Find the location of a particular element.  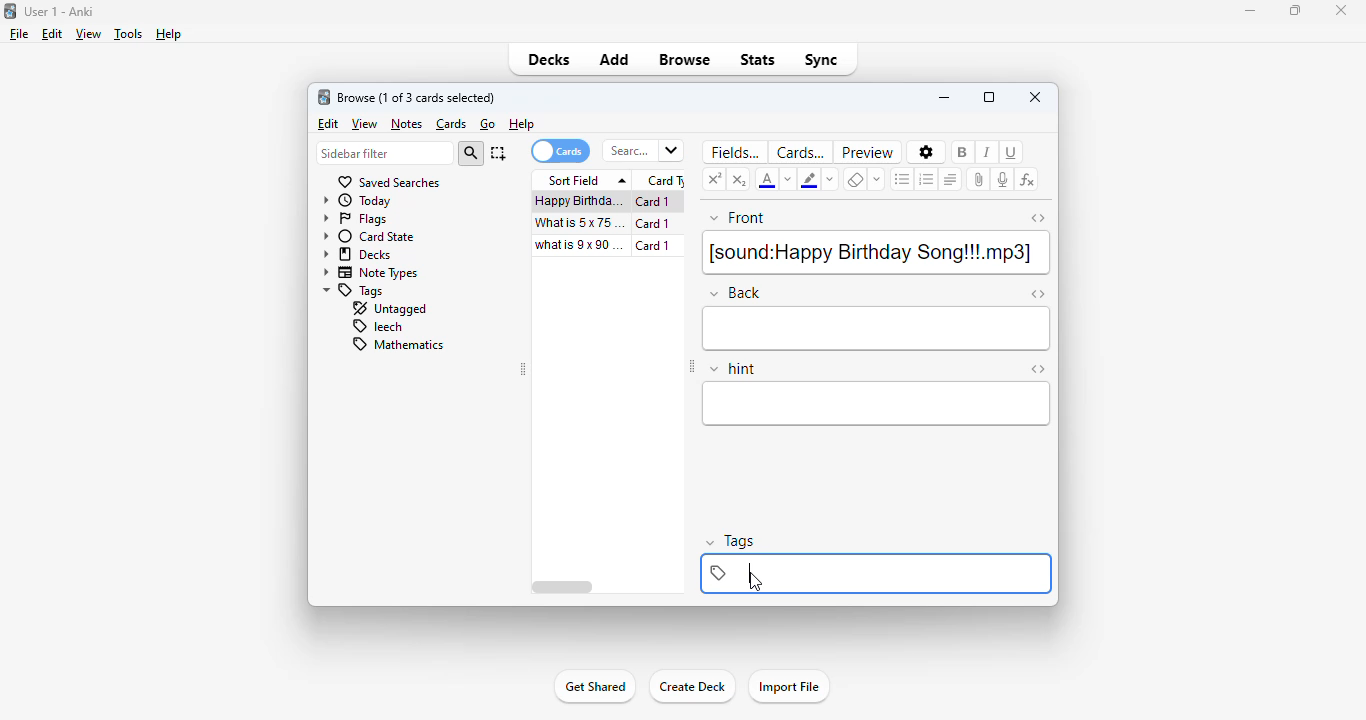

card 1 is located at coordinates (658, 246).